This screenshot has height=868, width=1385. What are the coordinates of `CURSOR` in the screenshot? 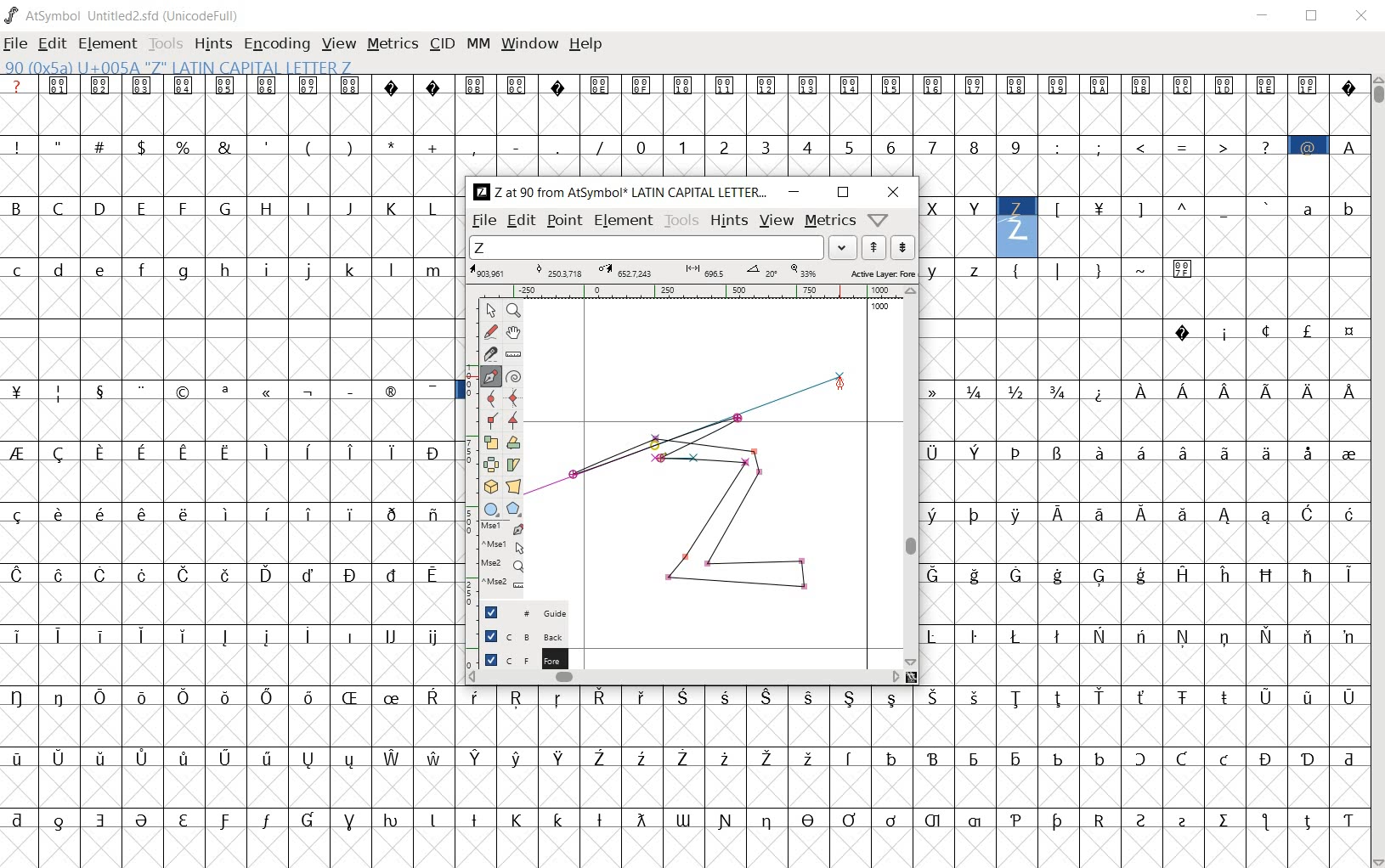 It's located at (843, 386).